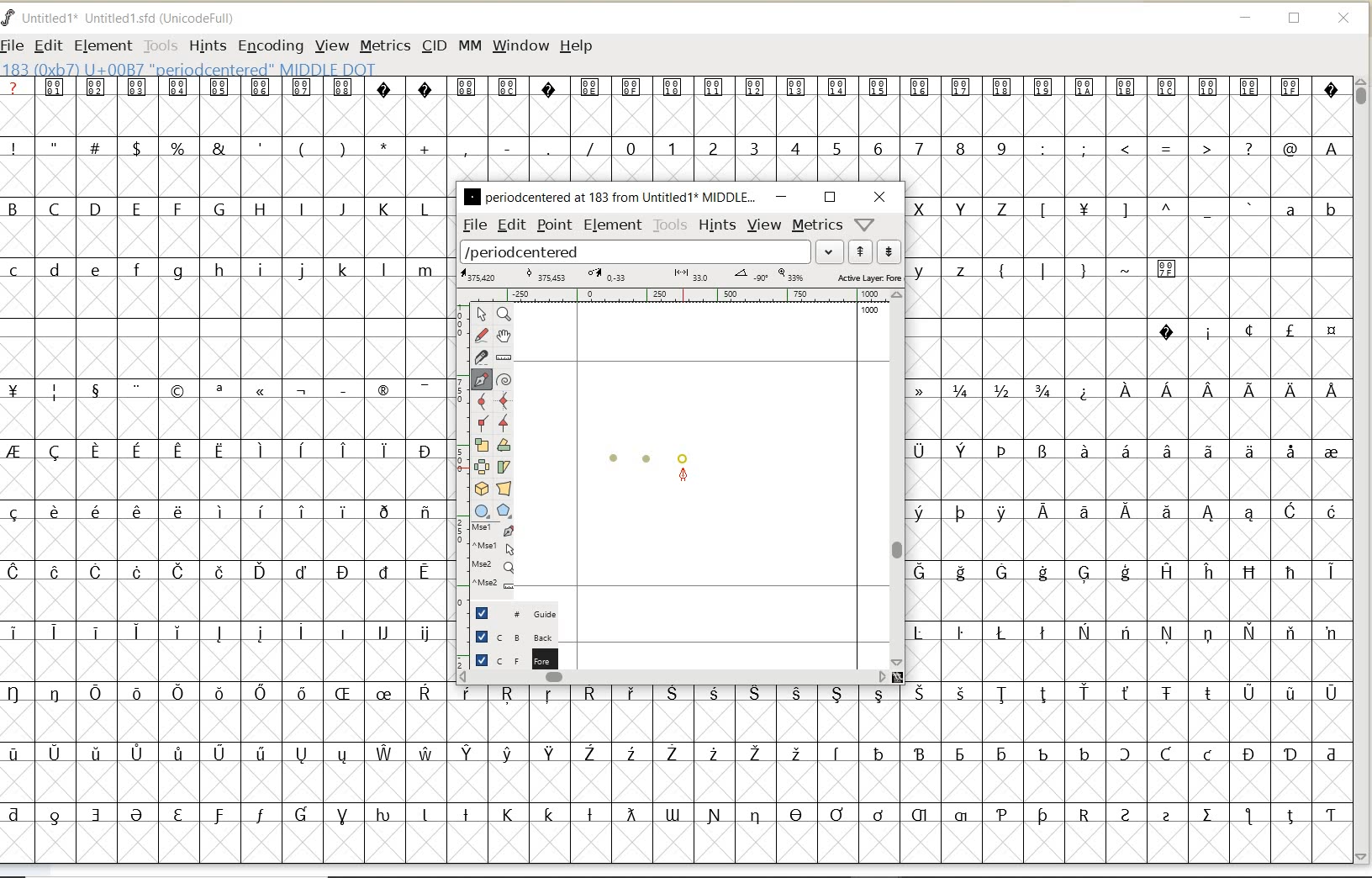  What do you see at coordinates (1131, 526) in the screenshot?
I see `special characters` at bounding box center [1131, 526].